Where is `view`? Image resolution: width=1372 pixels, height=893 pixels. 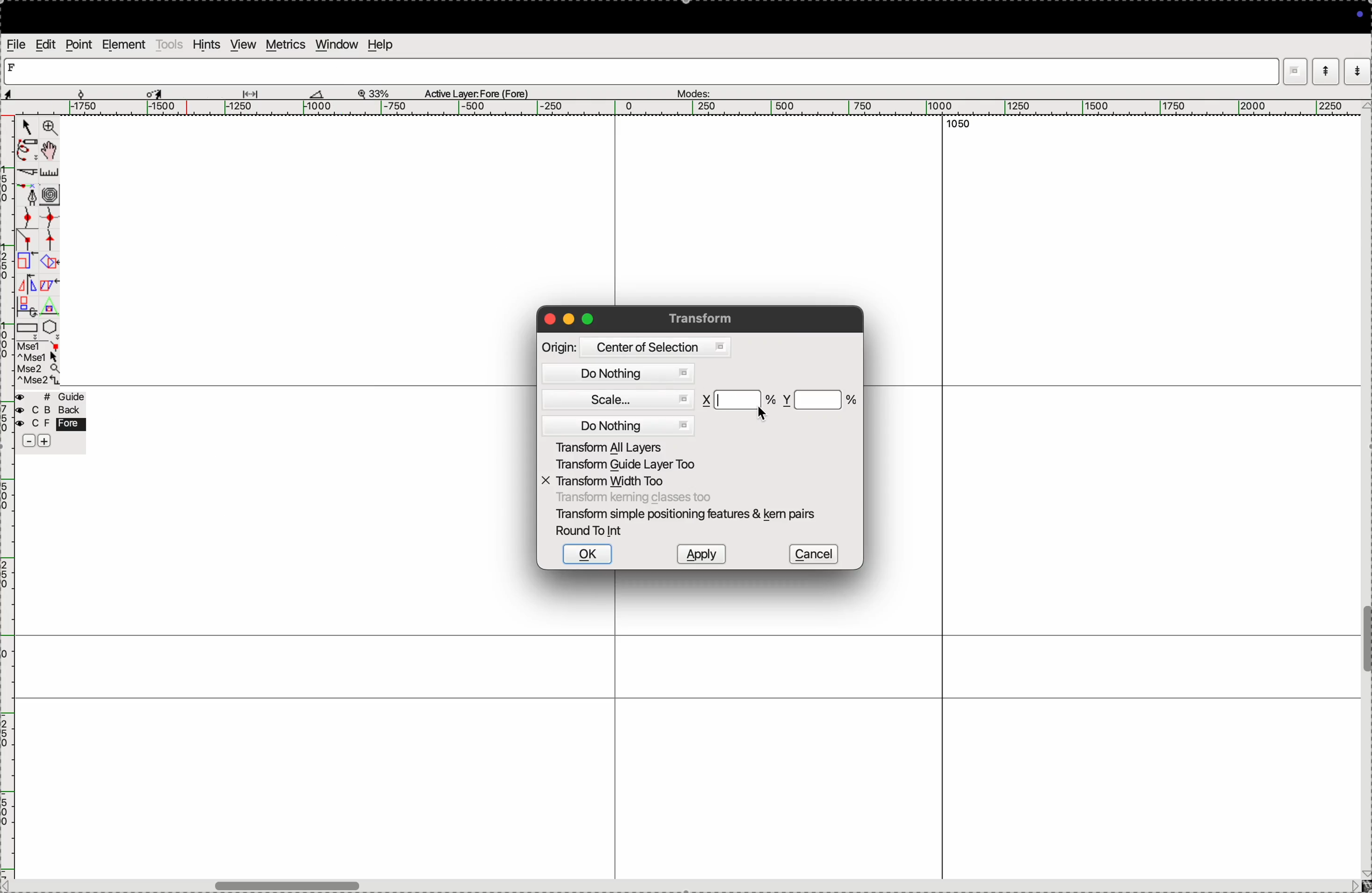 view is located at coordinates (242, 44).